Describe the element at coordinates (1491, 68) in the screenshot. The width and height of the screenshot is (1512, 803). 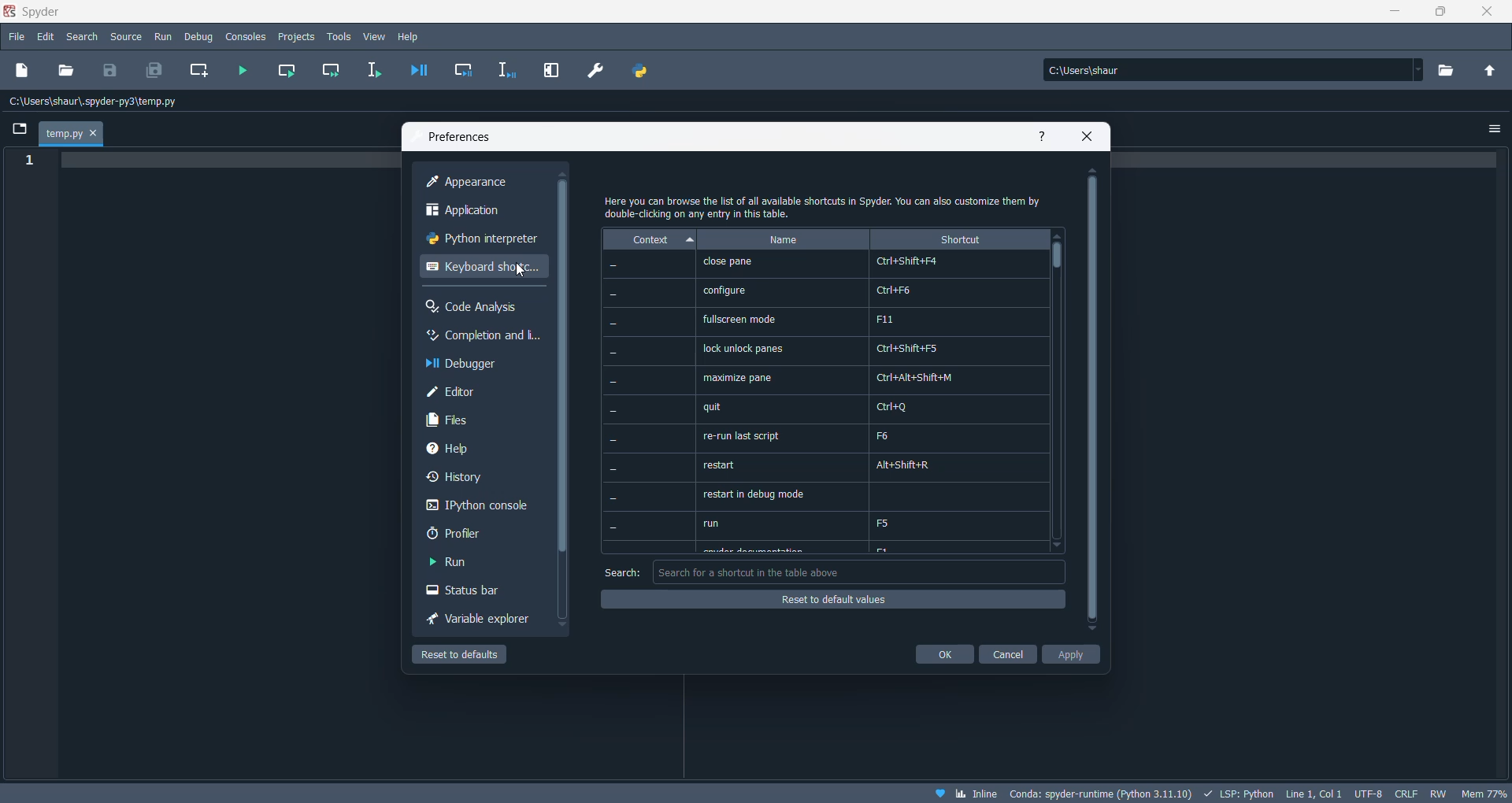
I see `parent directory` at that location.